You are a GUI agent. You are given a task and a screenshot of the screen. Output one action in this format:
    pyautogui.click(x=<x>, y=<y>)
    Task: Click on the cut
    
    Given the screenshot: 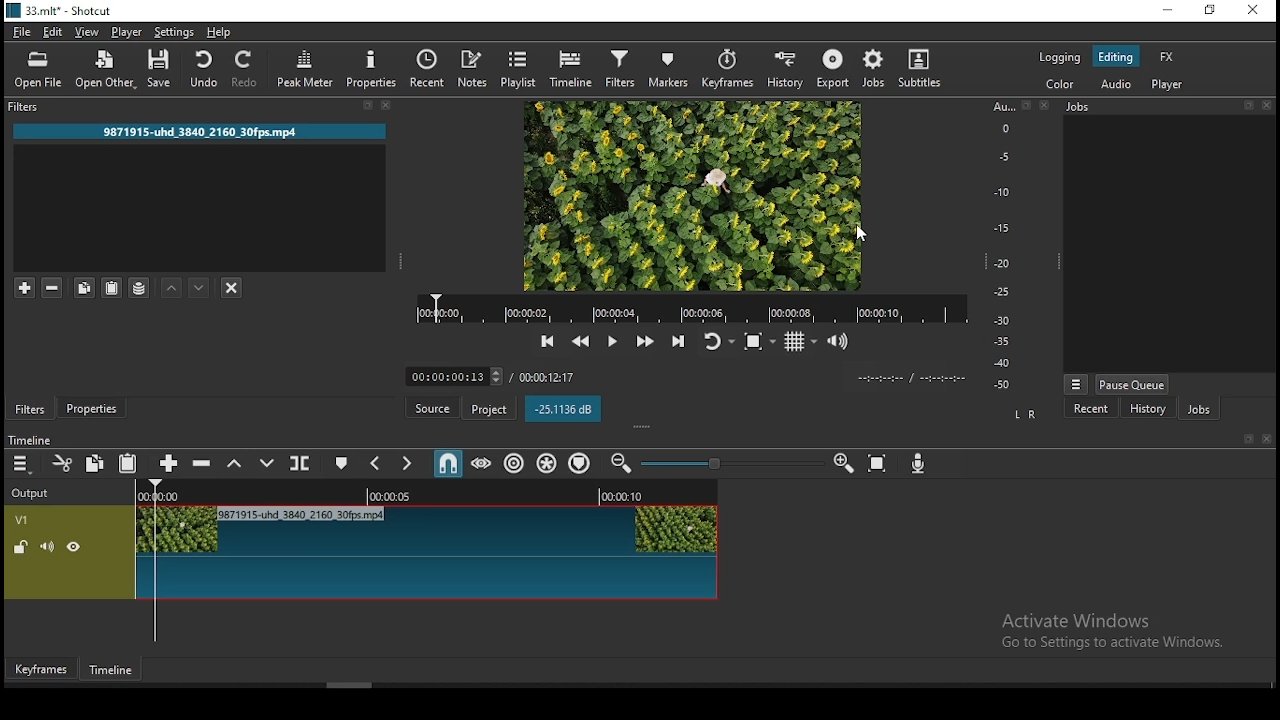 What is the action you would take?
    pyautogui.click(x=64, y=465)
    